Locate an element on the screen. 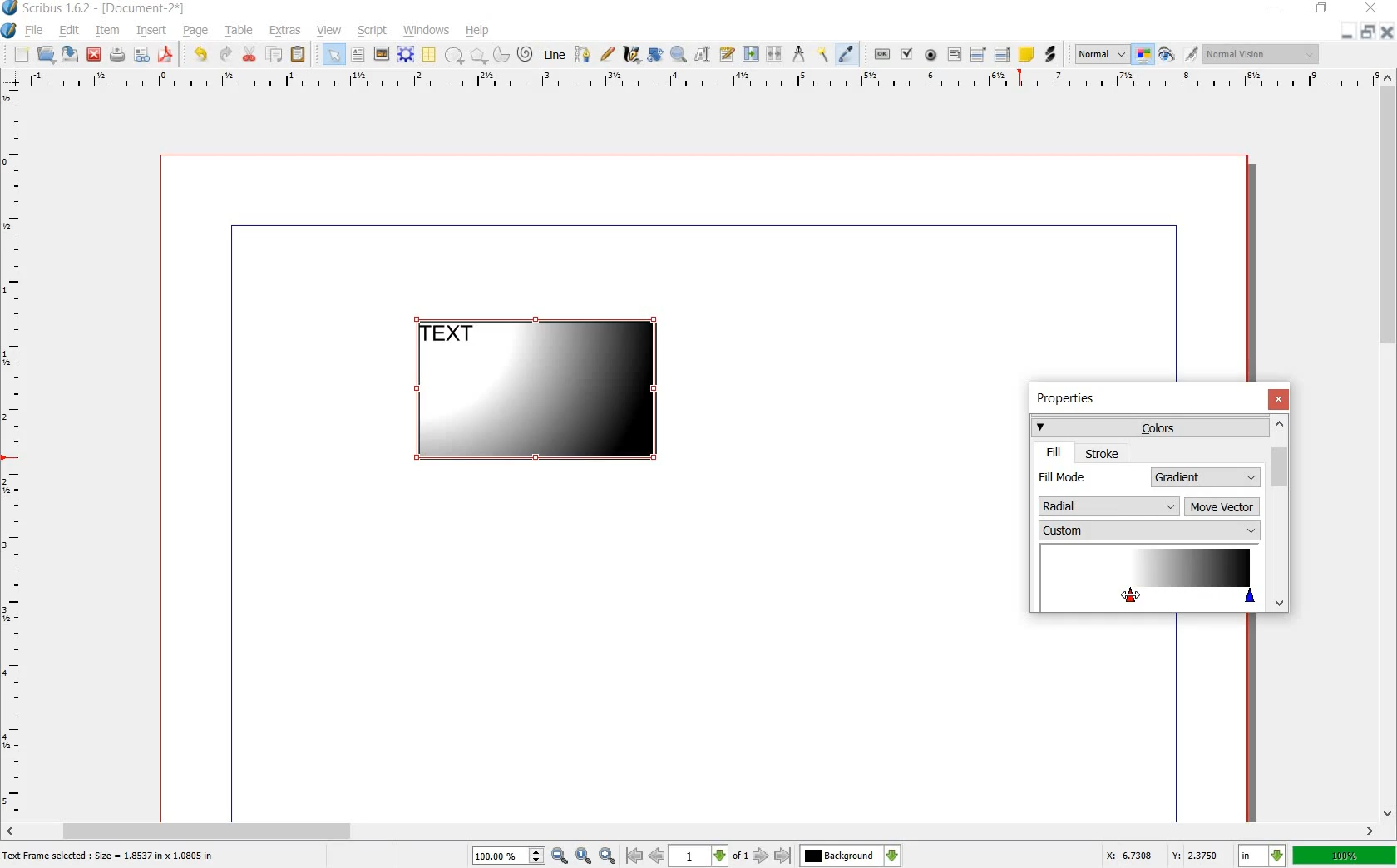  page is located at coordinates (196, 32).